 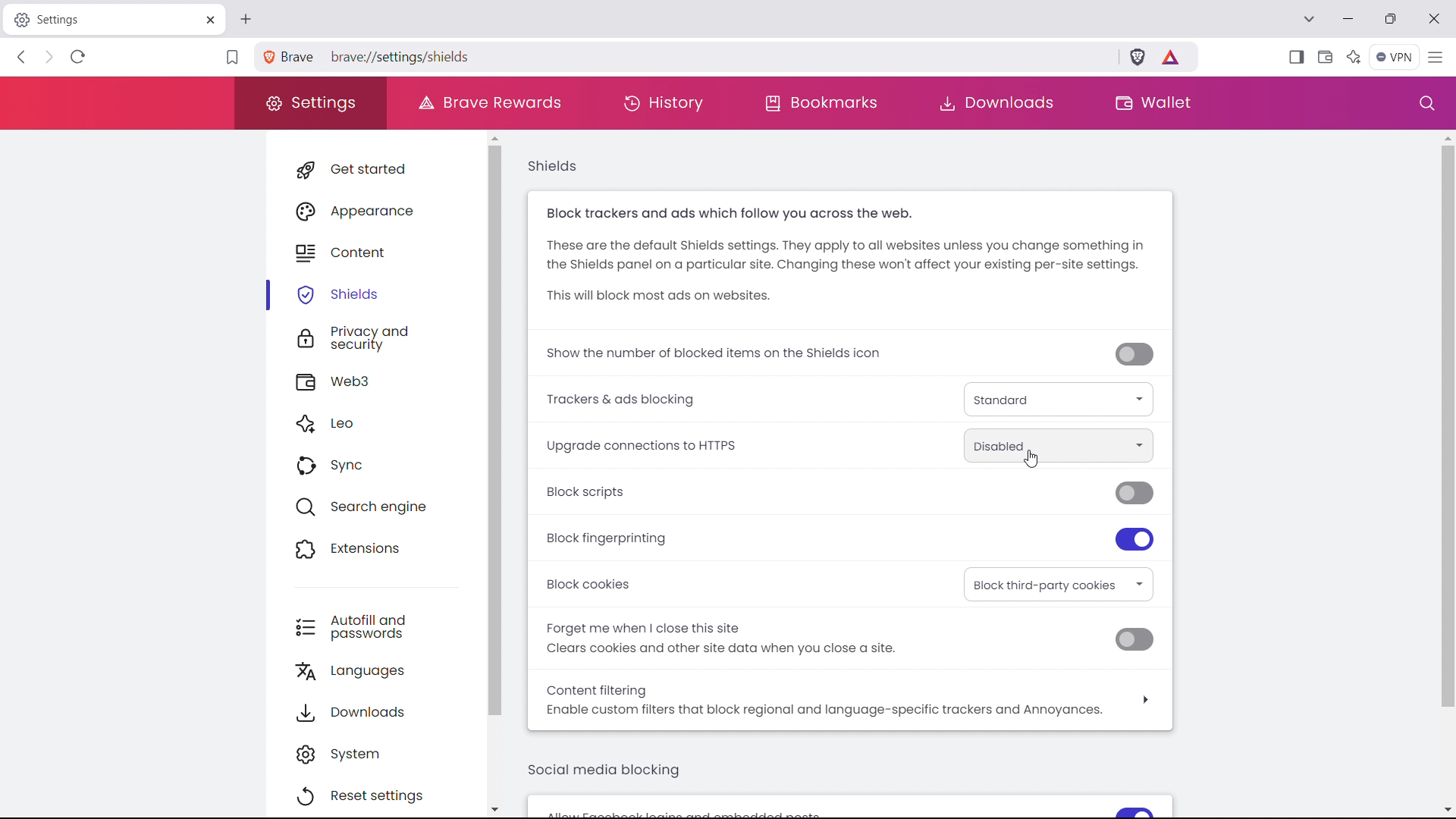 I want to click on downloads, so click(x=382, y=710).